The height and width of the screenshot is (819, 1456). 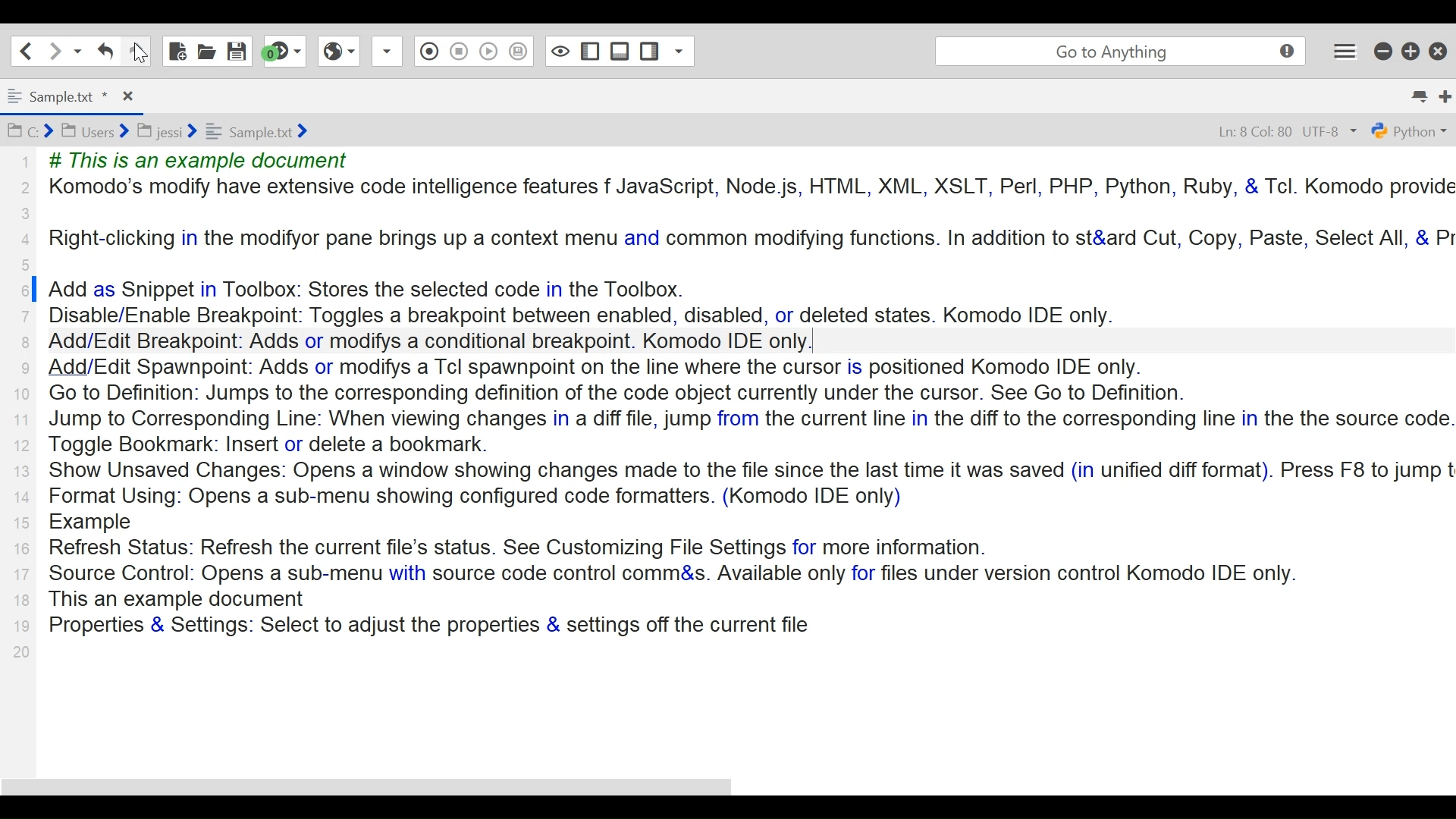 What do you see at coordinates (559, 52) in the screenshot?
I see `Toggle Focus mode` at bounding box center [559, 52].